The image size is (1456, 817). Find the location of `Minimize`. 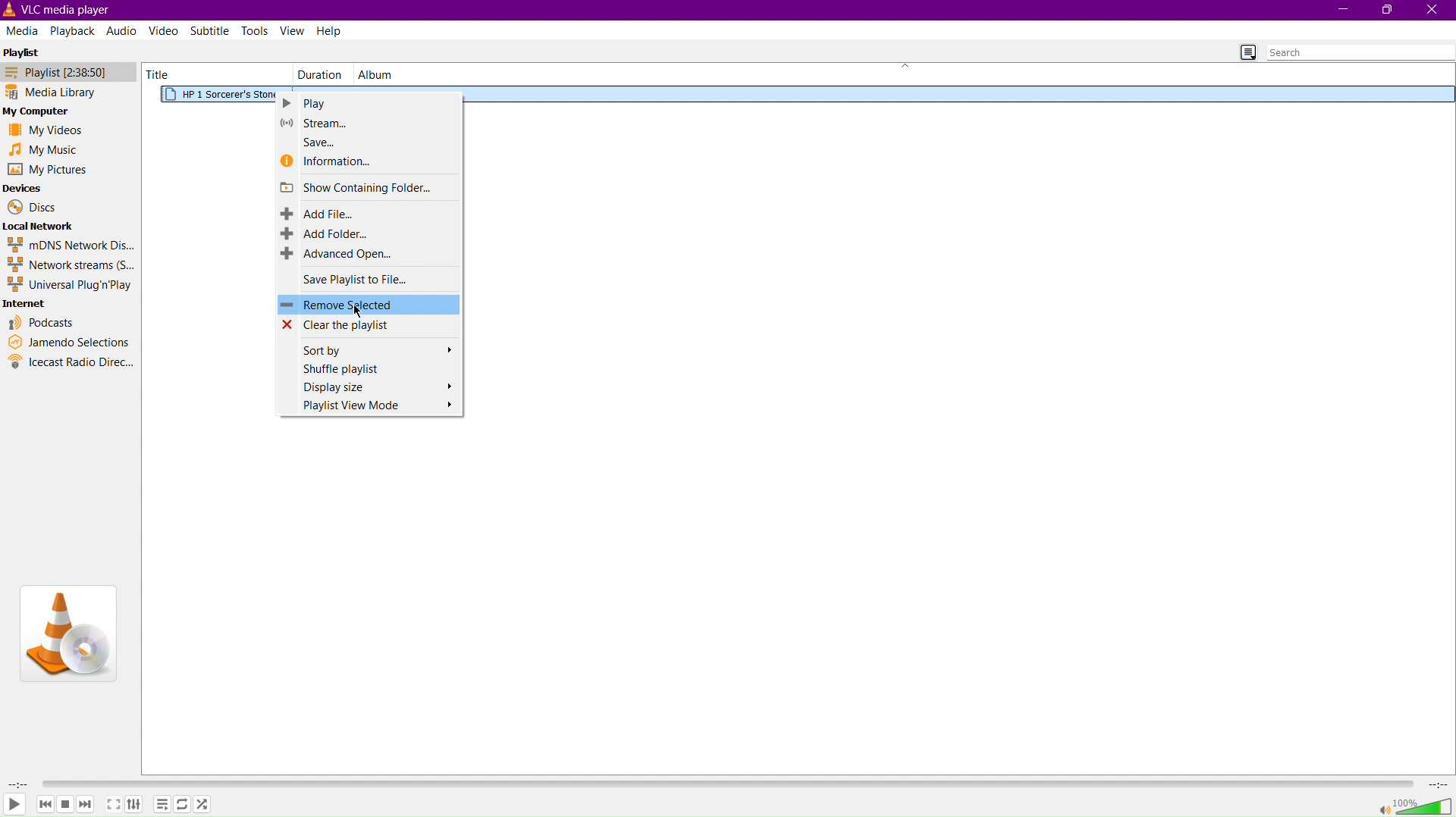

Minimize is located at coordinates (1341, 10).